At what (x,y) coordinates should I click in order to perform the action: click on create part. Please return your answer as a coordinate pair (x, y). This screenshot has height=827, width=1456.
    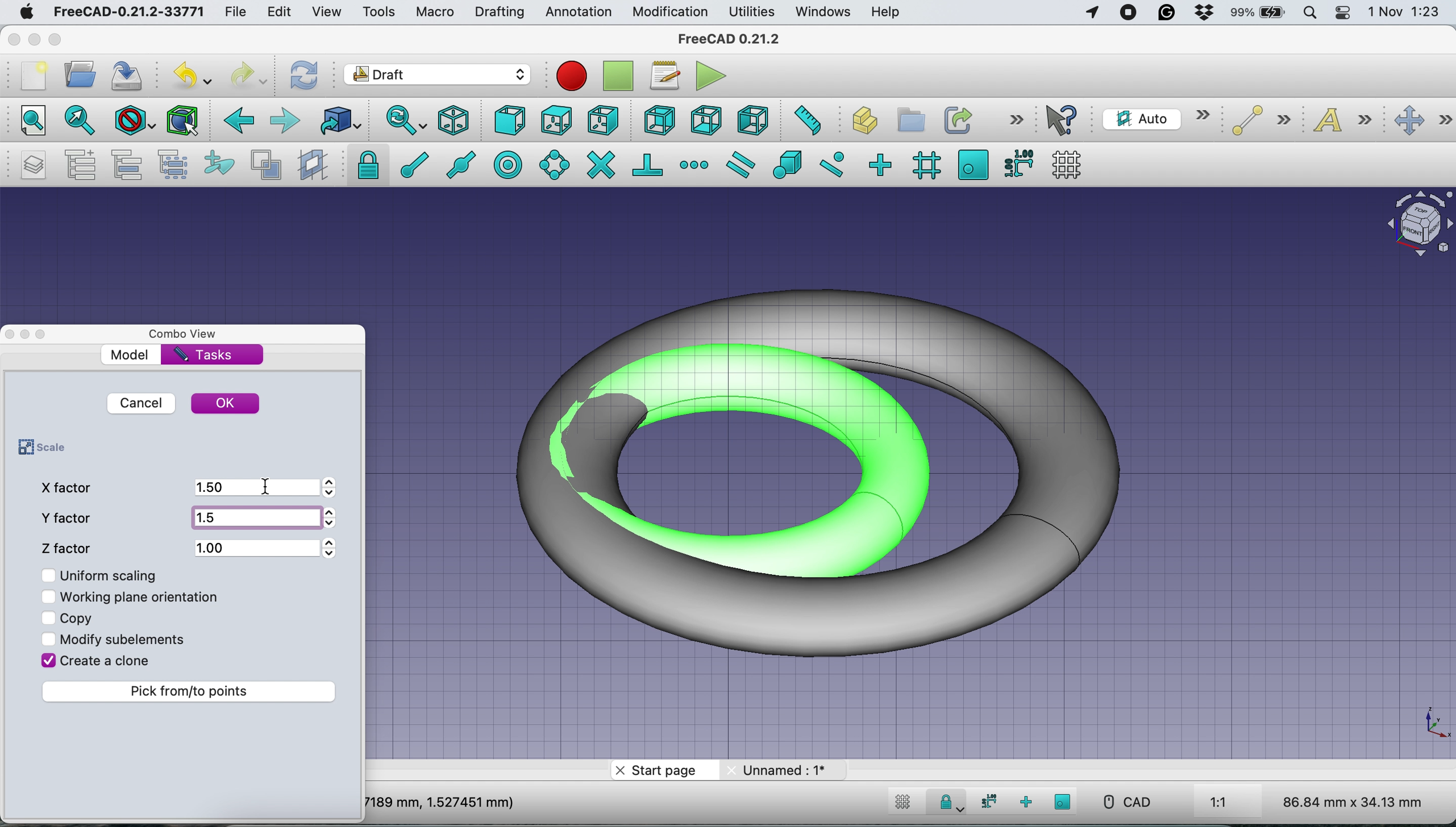
    Looking at the image, I should click on (859, 122).